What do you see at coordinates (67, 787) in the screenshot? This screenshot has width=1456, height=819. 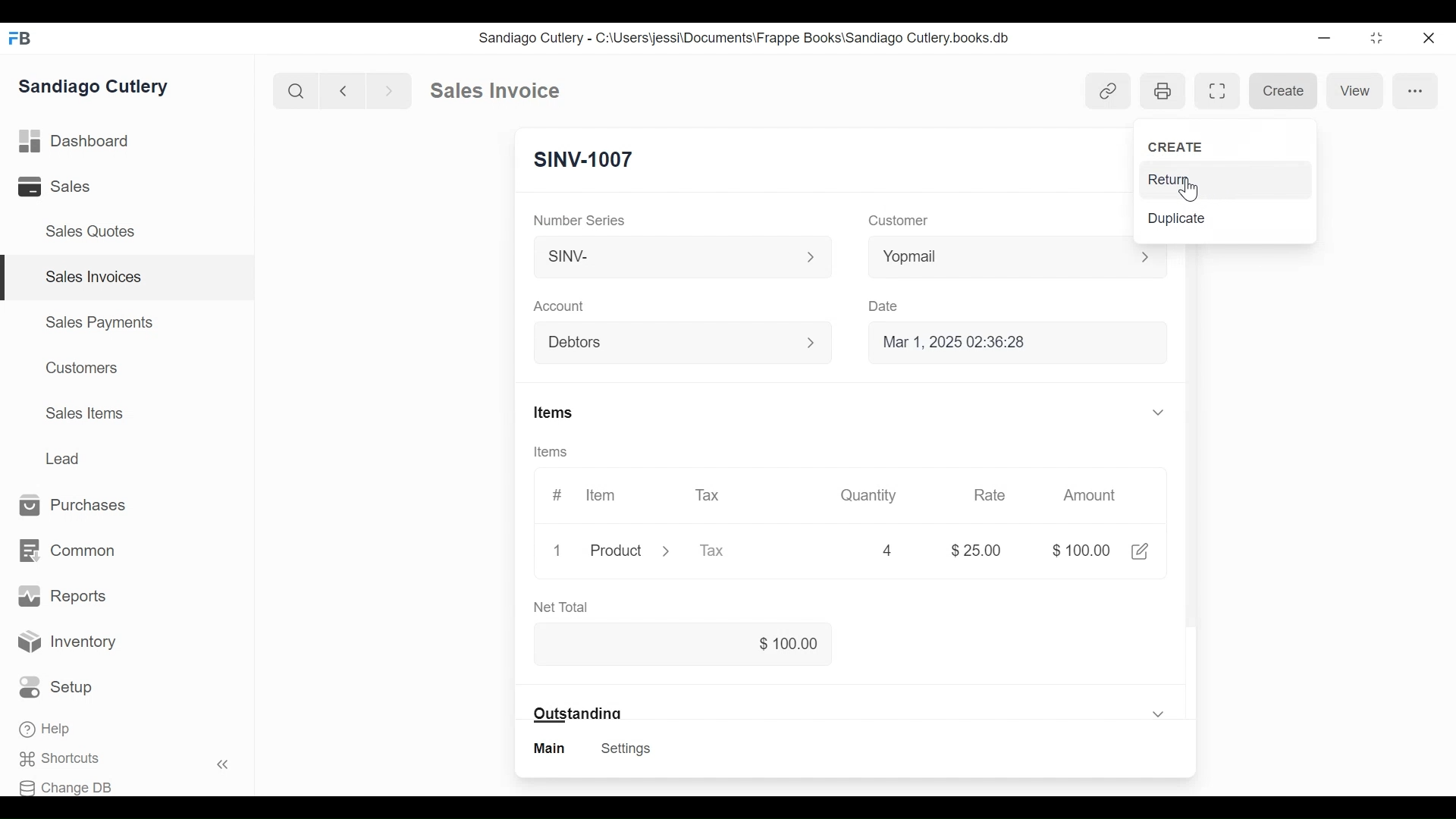 I see ` Change DB` at bounding box center [67, 787].